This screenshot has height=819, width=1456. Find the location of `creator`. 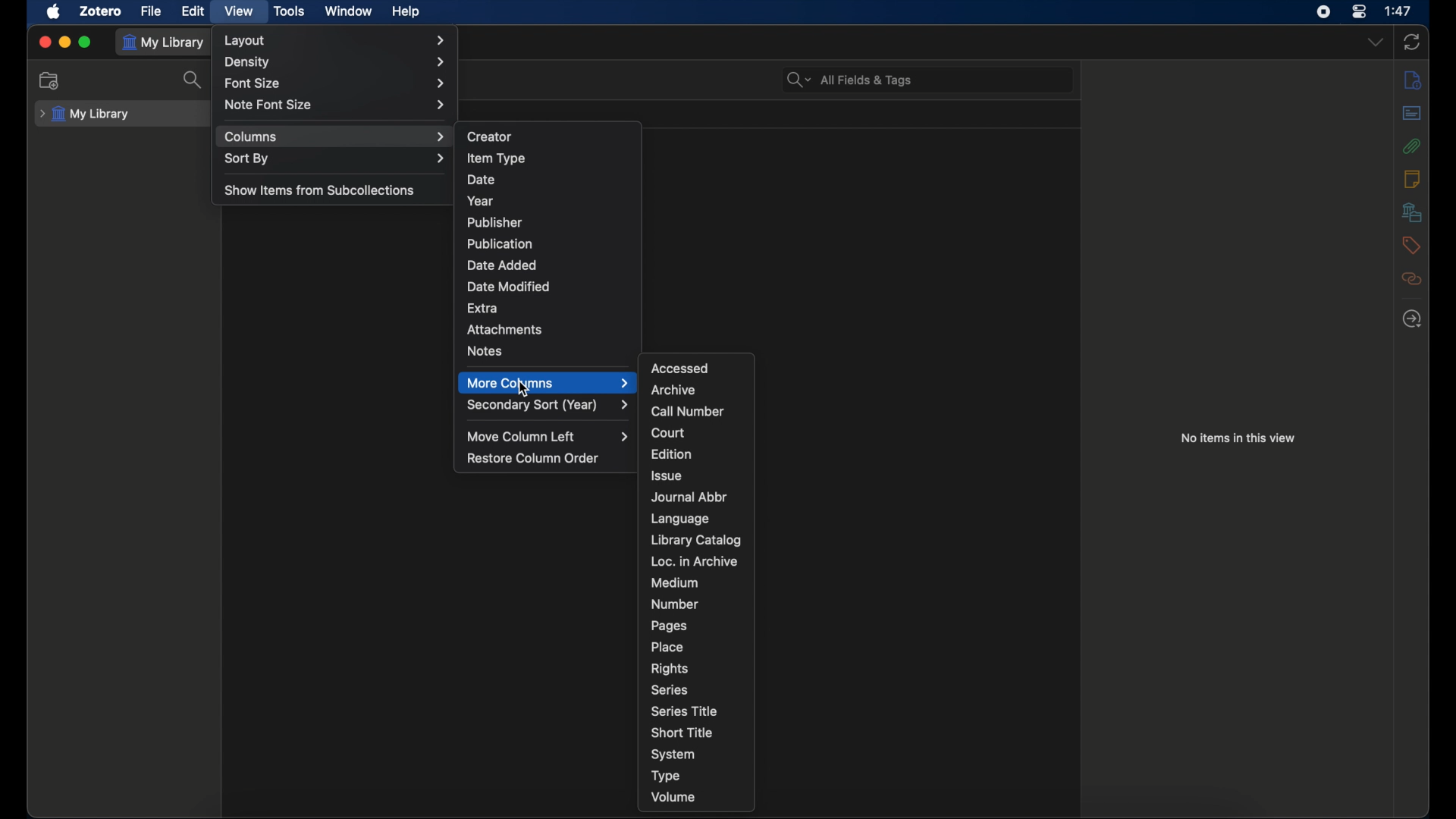

creator is located at coordinates (491, 136).